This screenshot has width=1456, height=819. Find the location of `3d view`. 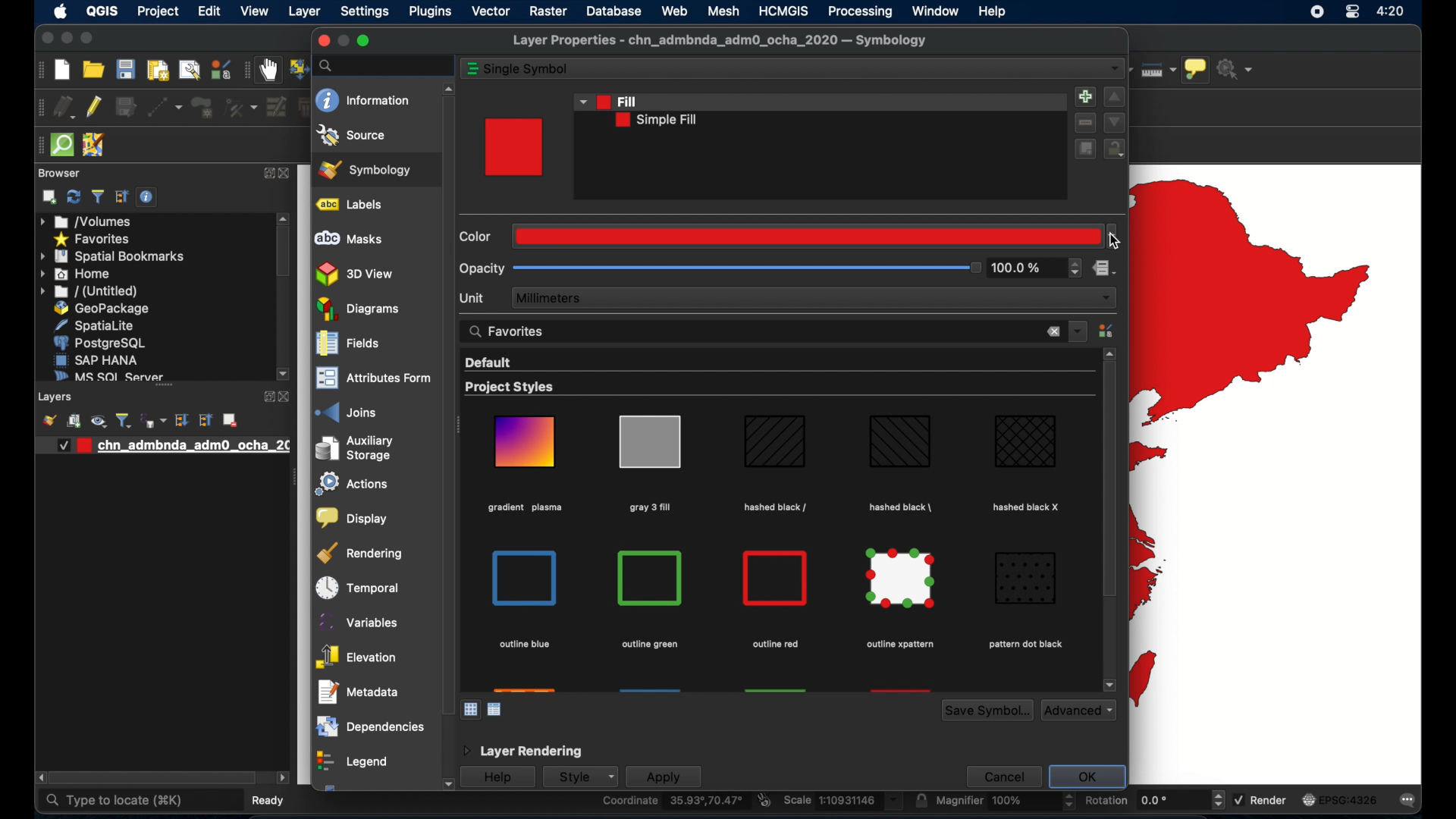

3d view is located at coordinates (356, 274).